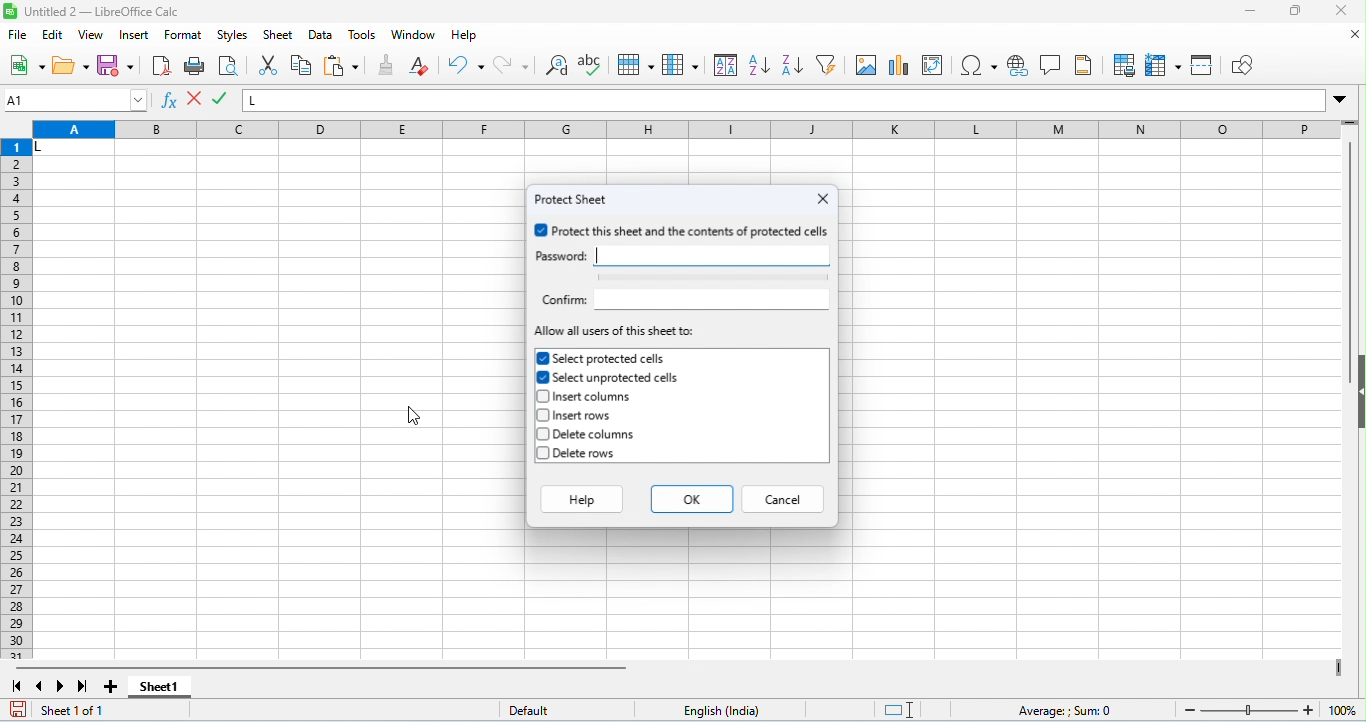  Describe the element at coordinates (692, 498) in the screenshot. I see `ok` at that location.